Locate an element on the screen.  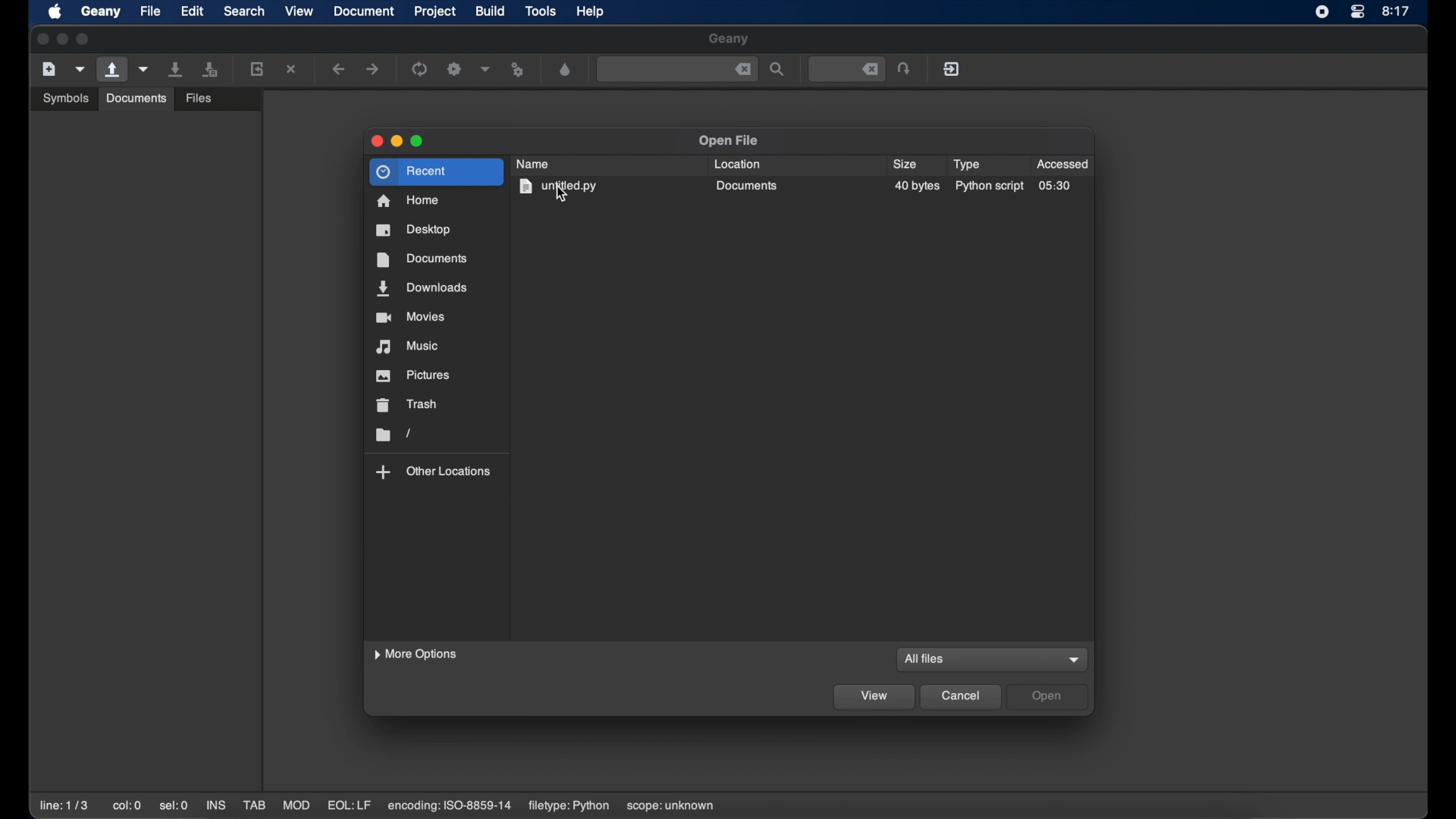
navigate back a location is located at coordinates (338, 68).